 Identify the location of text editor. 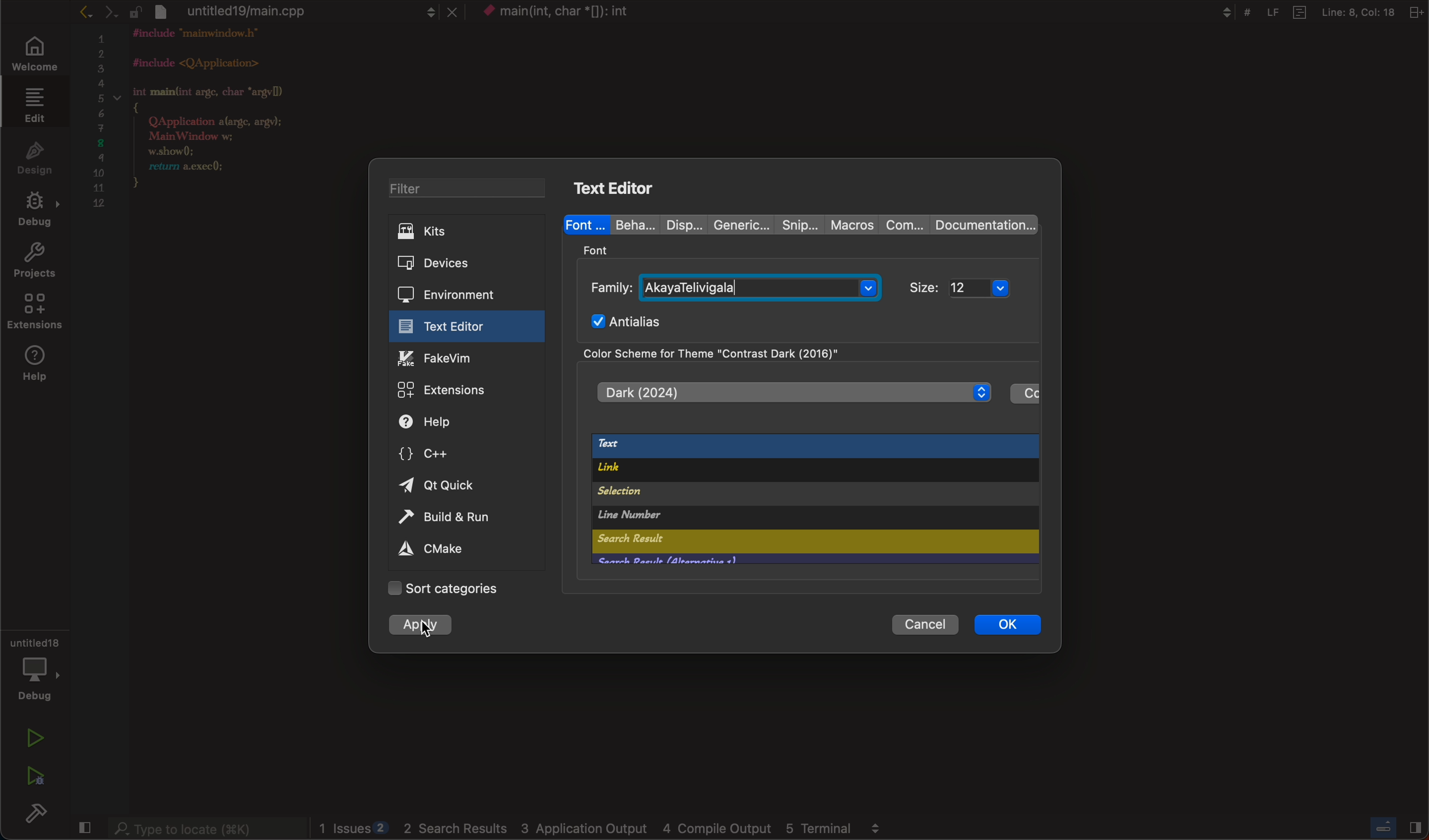
(459, 326).